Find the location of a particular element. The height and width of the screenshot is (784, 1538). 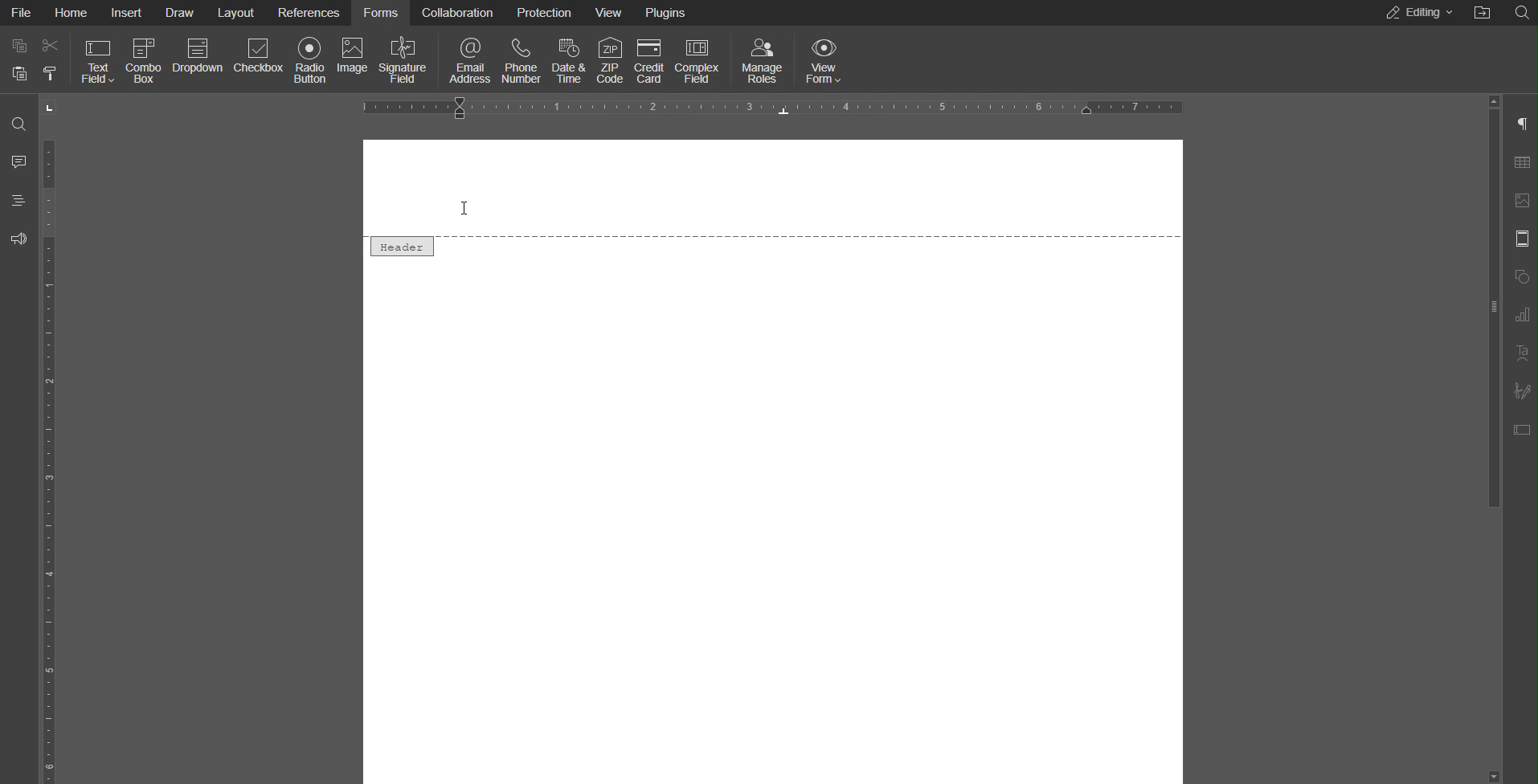

Layout is located at coordinates (239, 14).